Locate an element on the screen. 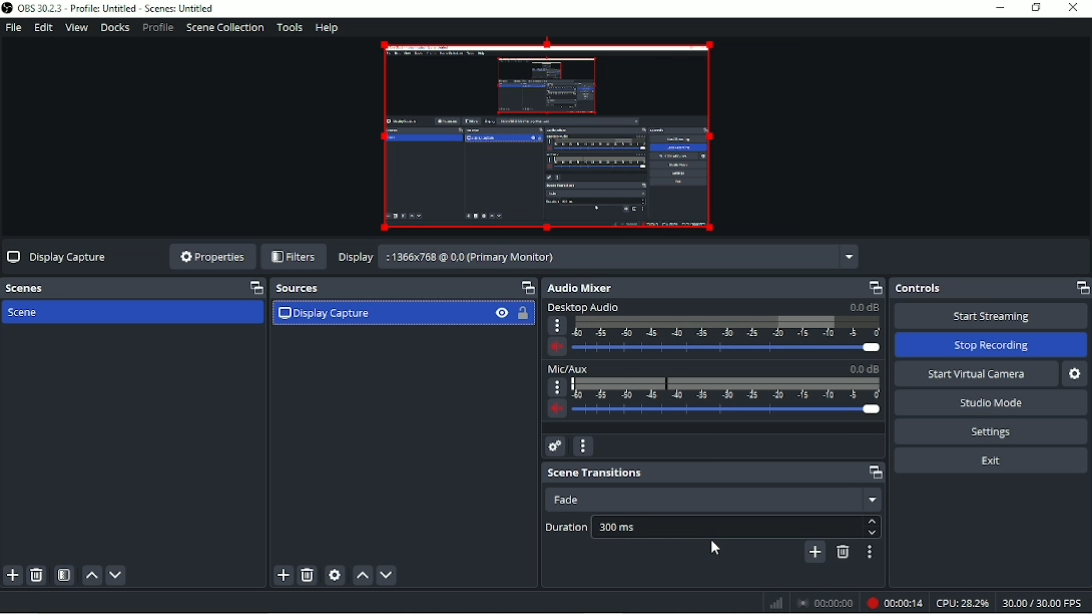  Properties is located at coordinates (213, 258).